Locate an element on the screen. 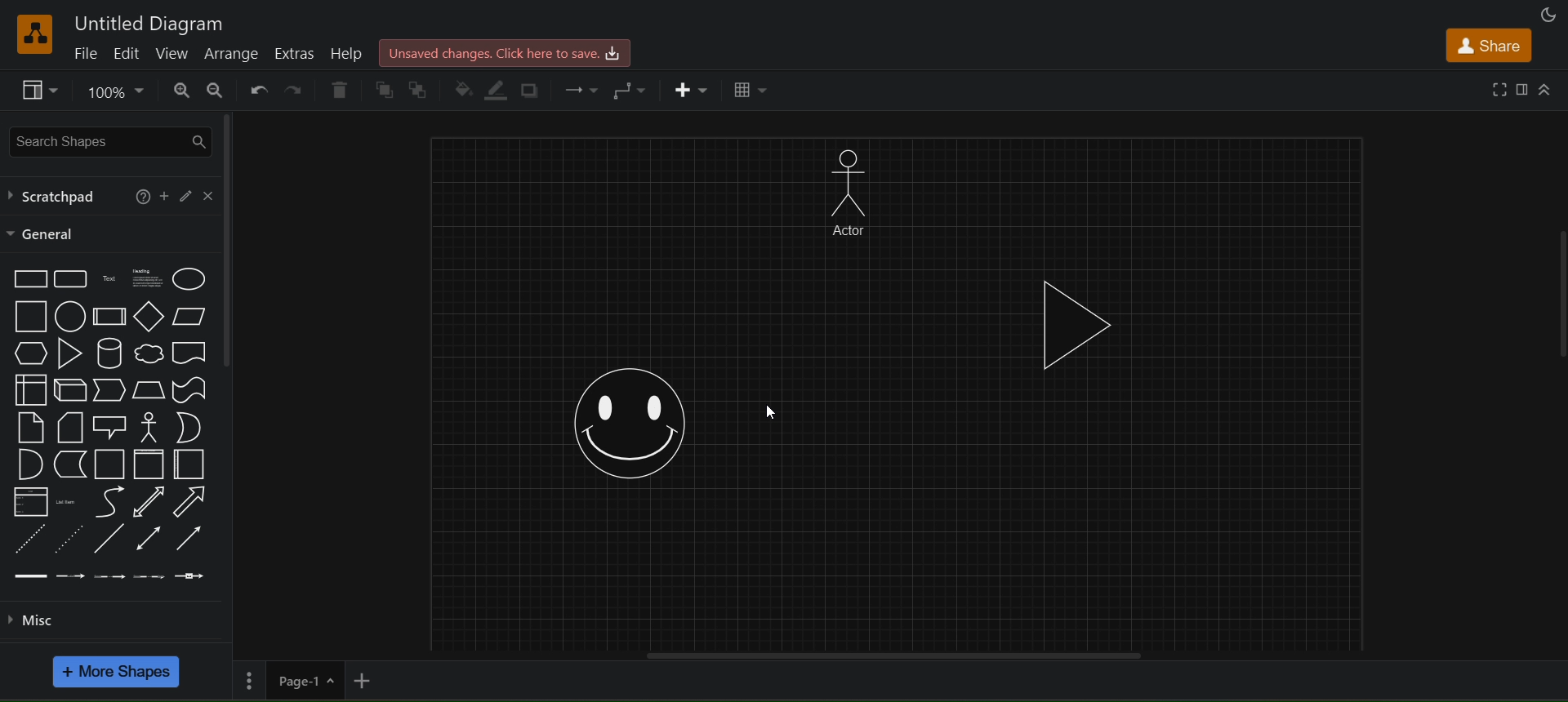  heading is located at coordinates (149, 280).